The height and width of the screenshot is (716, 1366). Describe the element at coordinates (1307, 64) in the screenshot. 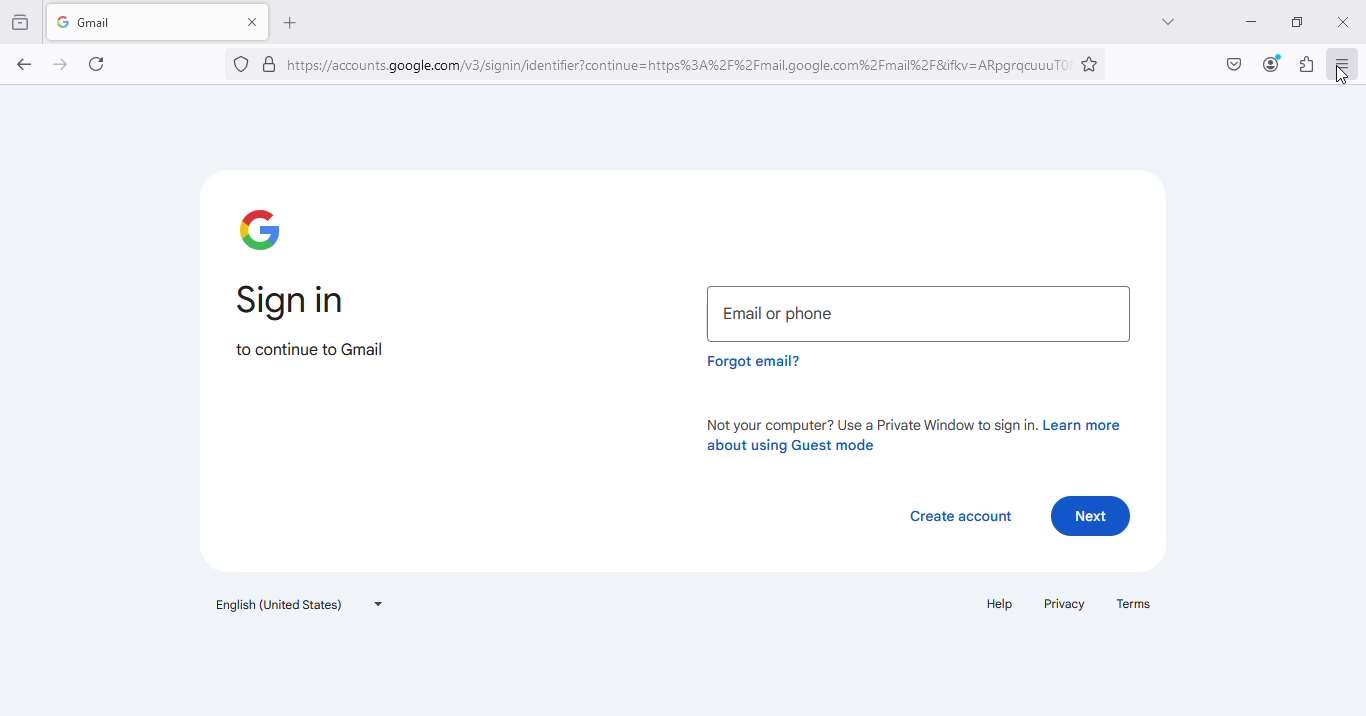

I see `extensions` at that location.